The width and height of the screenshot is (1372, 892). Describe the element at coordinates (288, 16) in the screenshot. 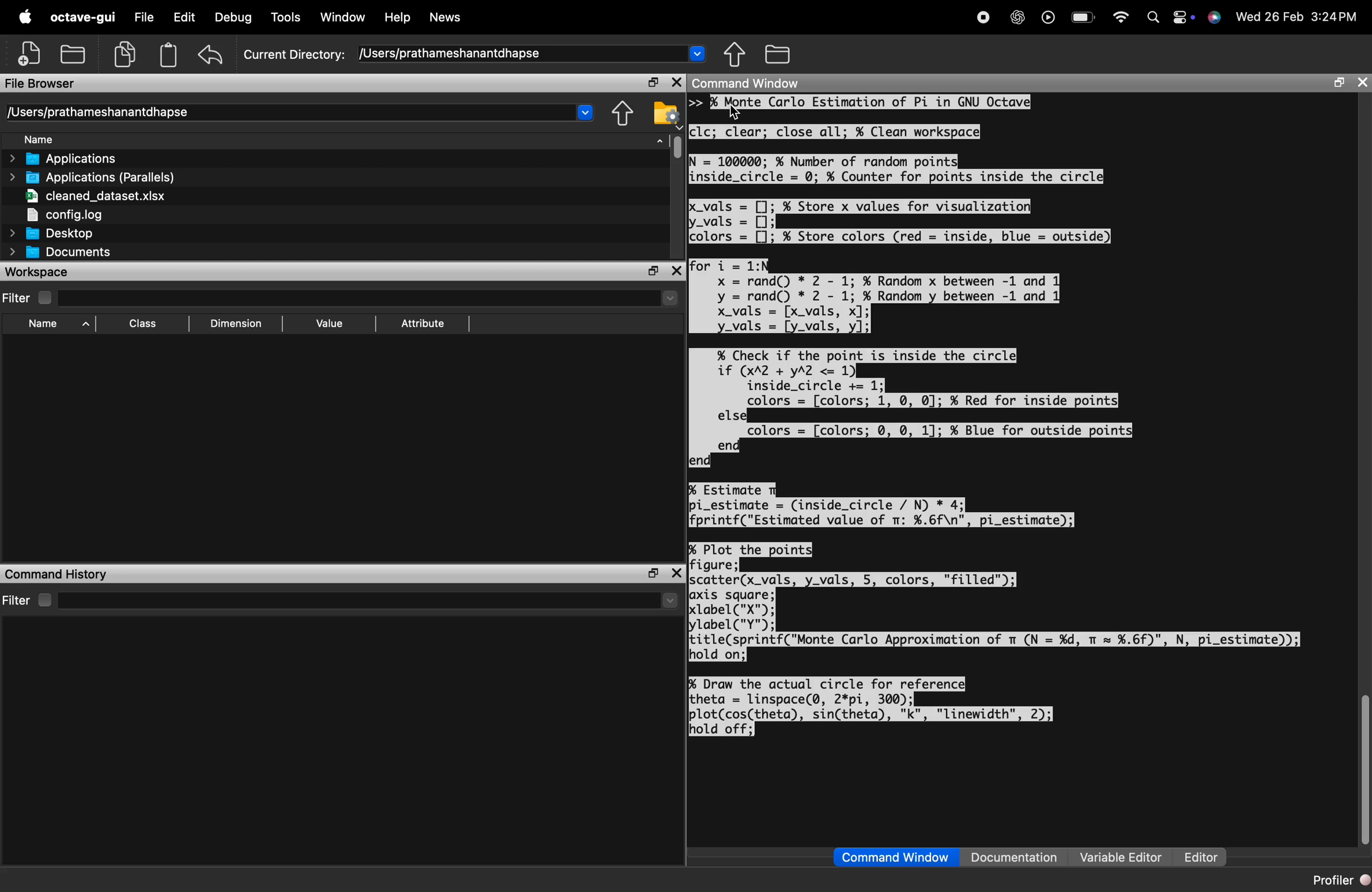

I see `Tools` at that location.